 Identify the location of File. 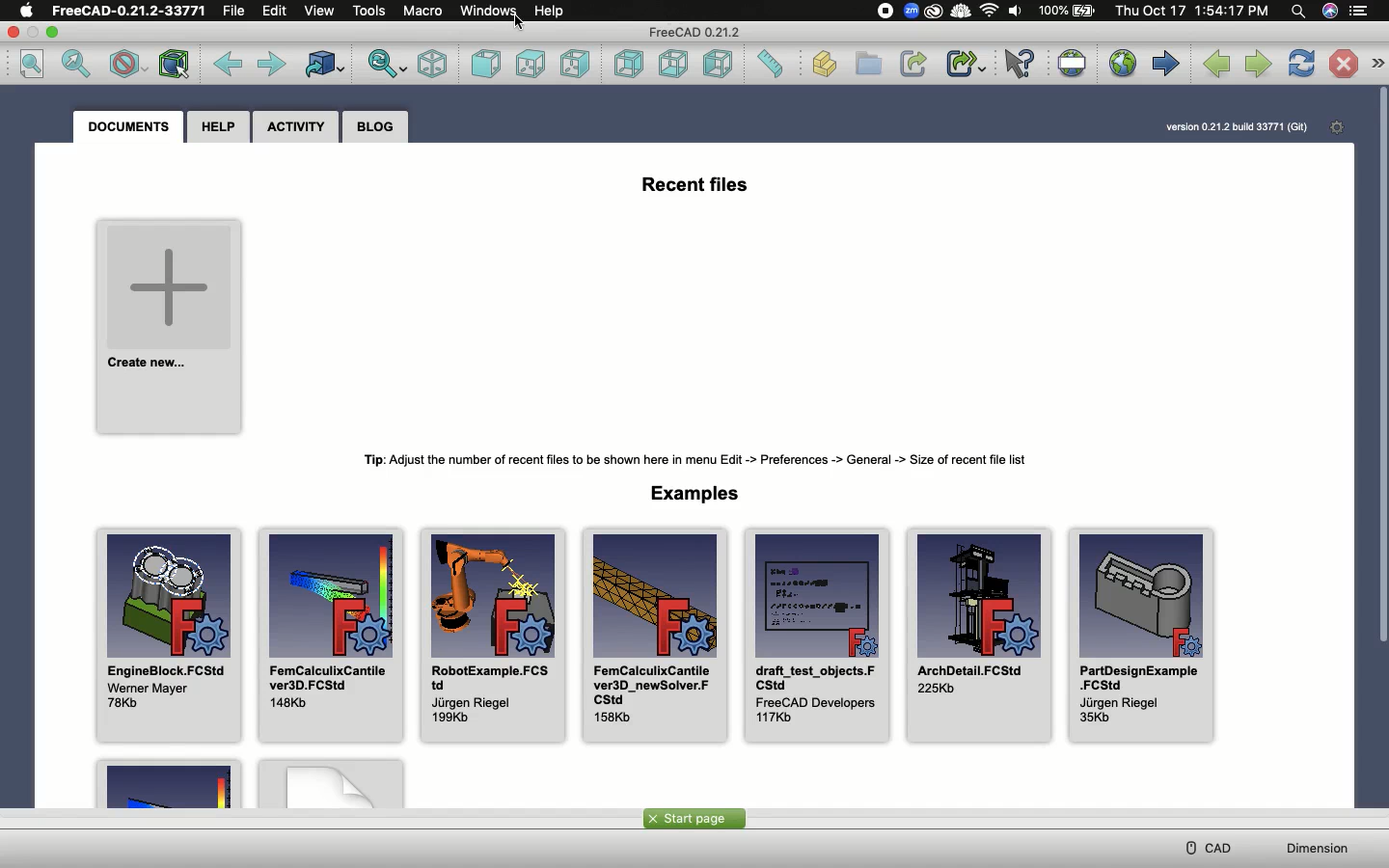
(235, 11).